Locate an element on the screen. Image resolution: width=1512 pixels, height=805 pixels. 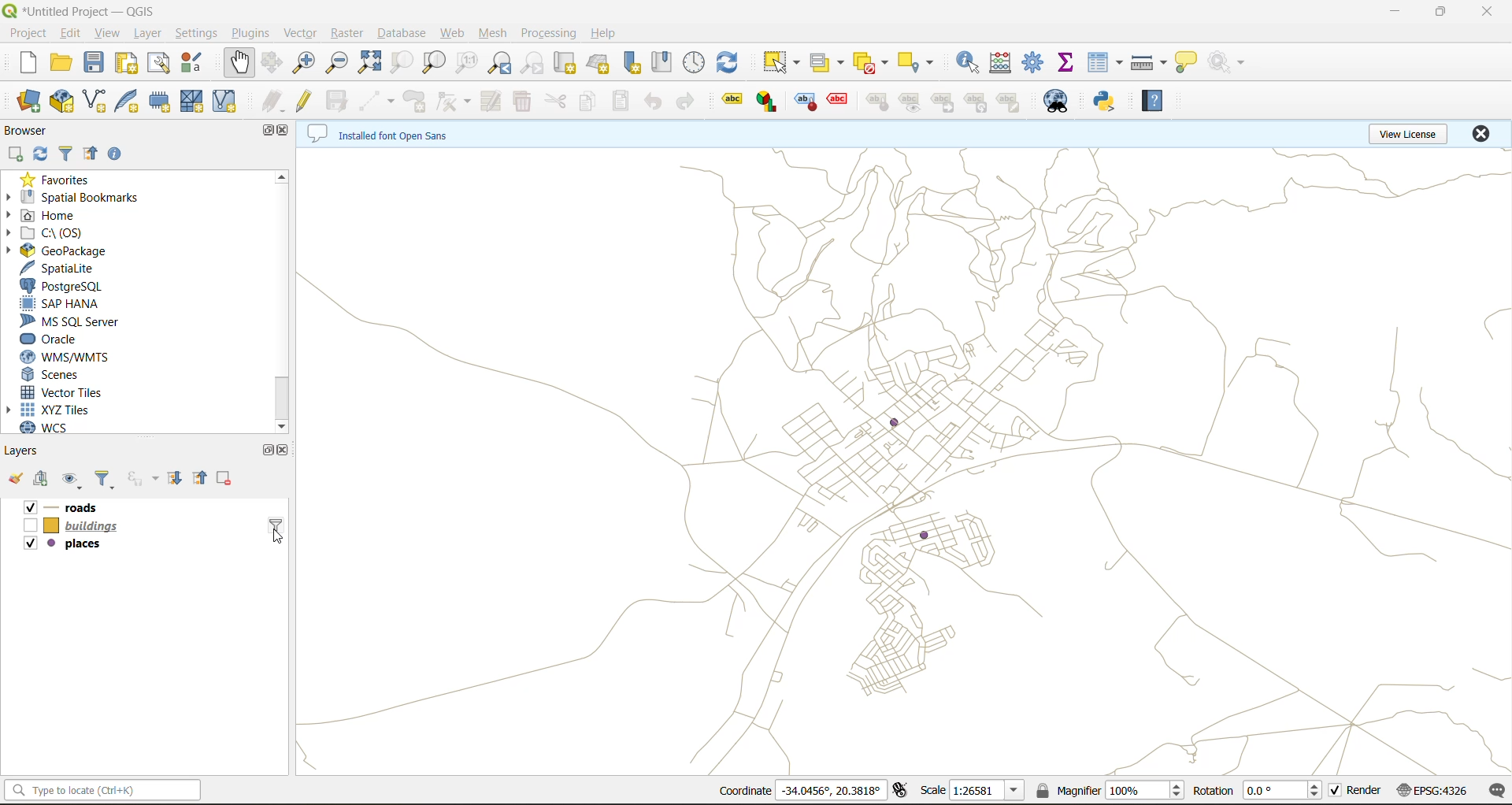
Rotate Label is located at coordinates (975, 102).